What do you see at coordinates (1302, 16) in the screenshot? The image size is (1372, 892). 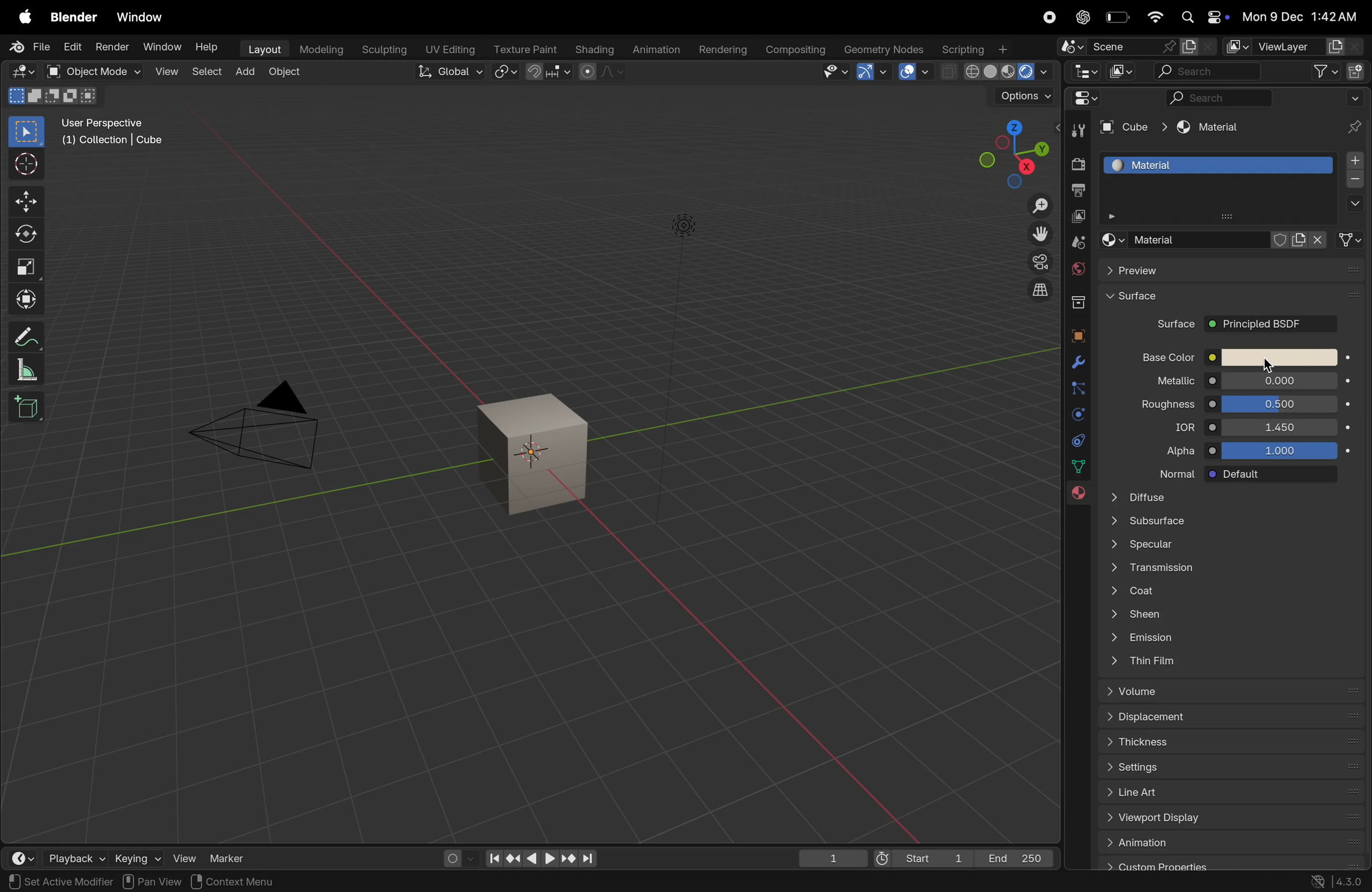 I see `date and time` at bounding box center [1302, 16].